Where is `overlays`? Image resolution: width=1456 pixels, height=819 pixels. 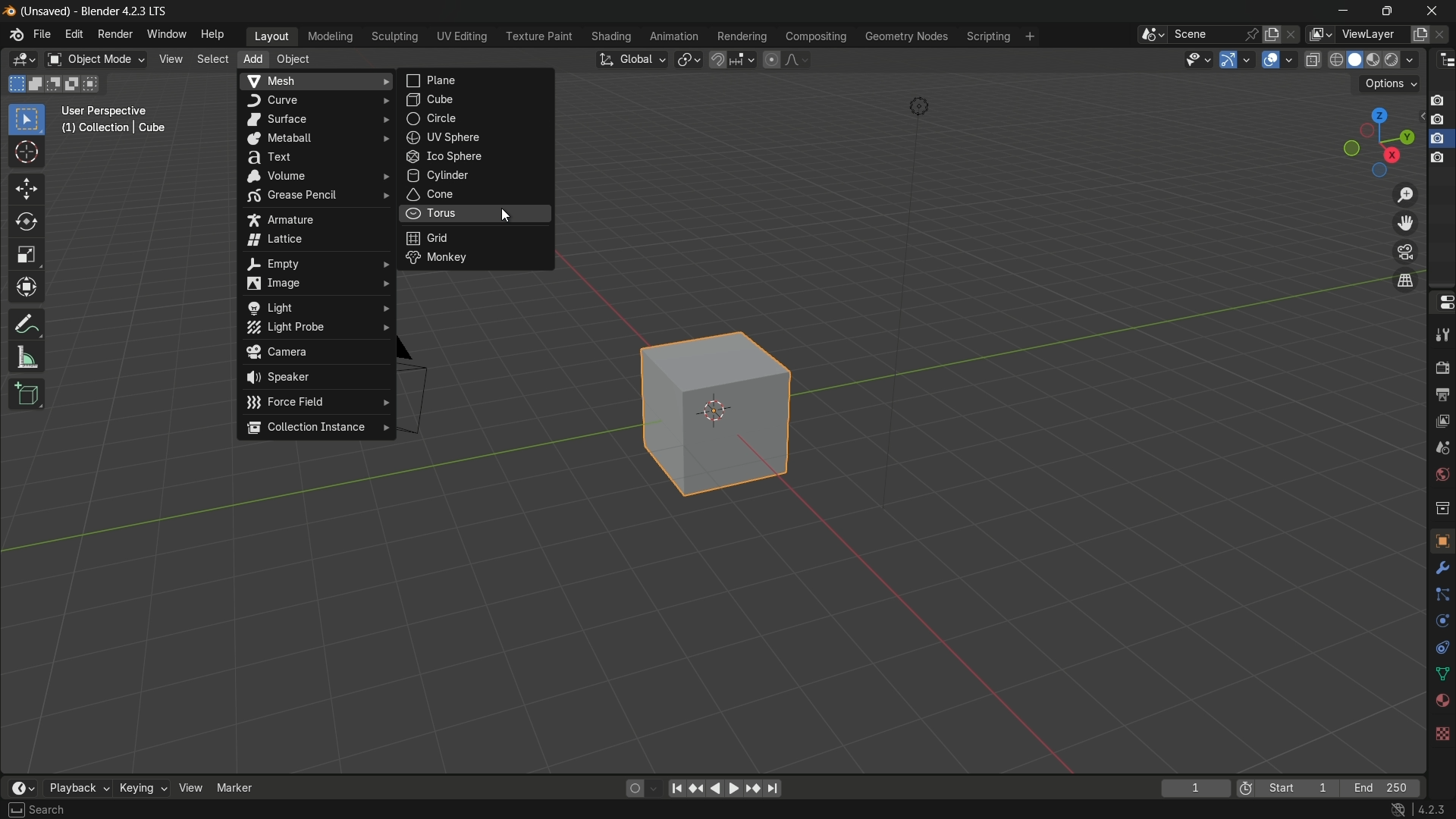 overlays is located at coordinates (1288, 58).